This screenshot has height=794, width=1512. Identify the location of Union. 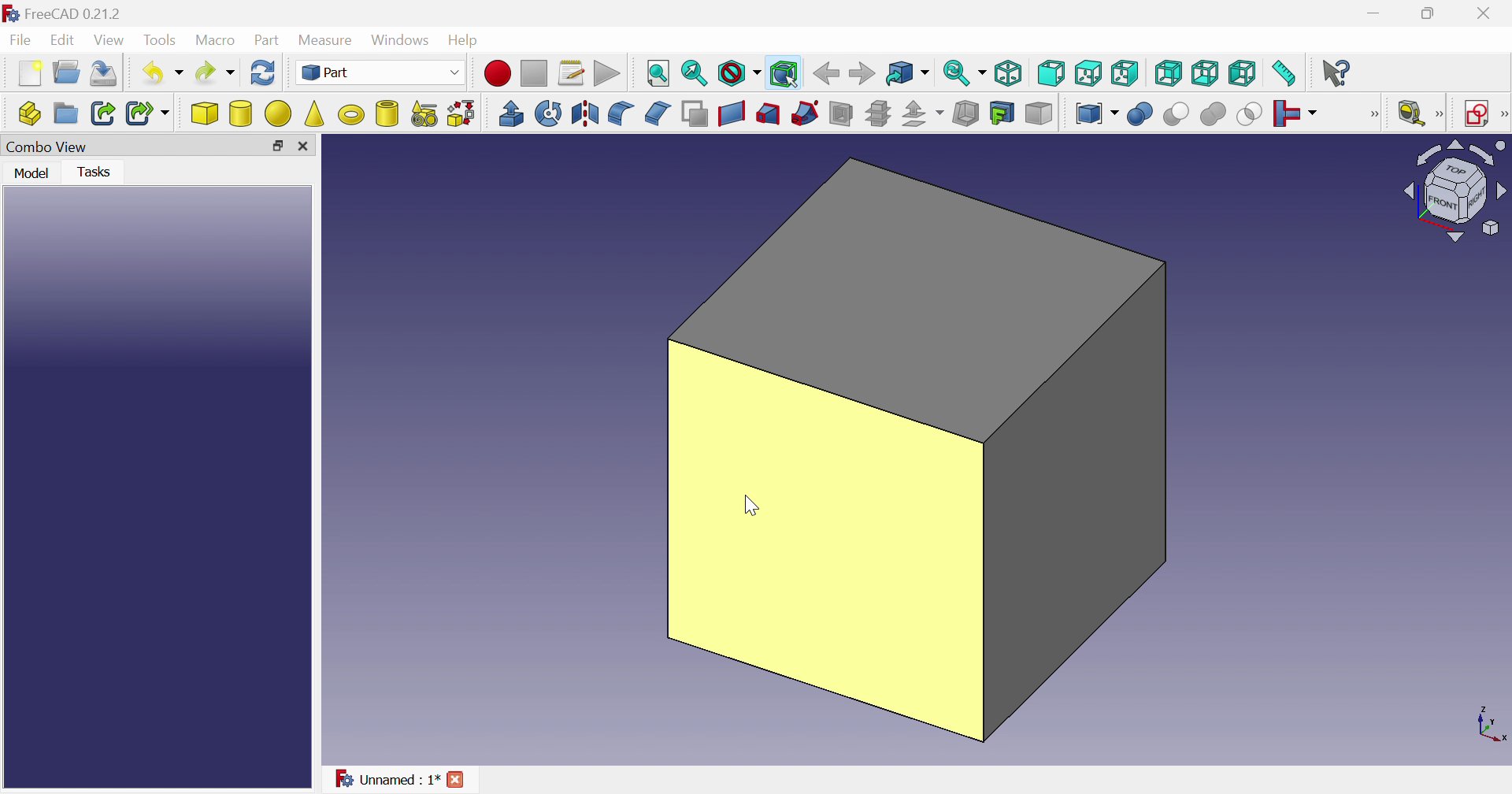
(1213, 113).